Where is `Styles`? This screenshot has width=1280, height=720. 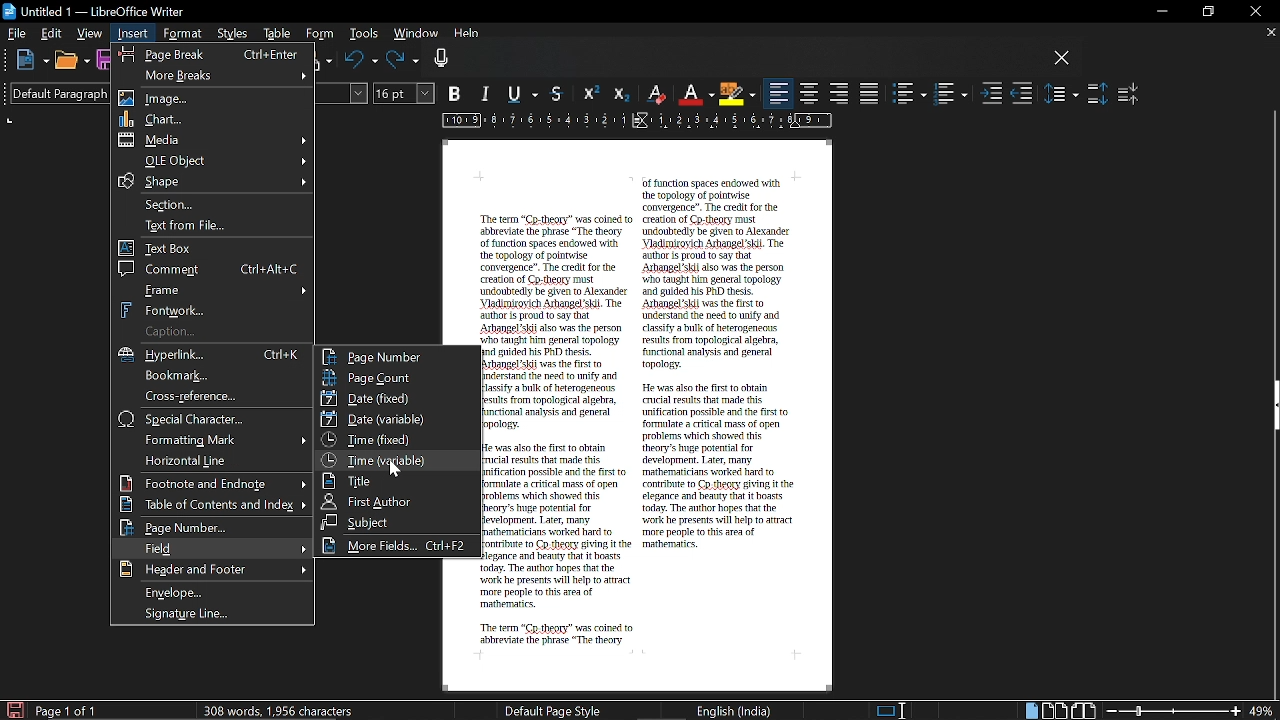 Styles is located at coordinates (234, 35).